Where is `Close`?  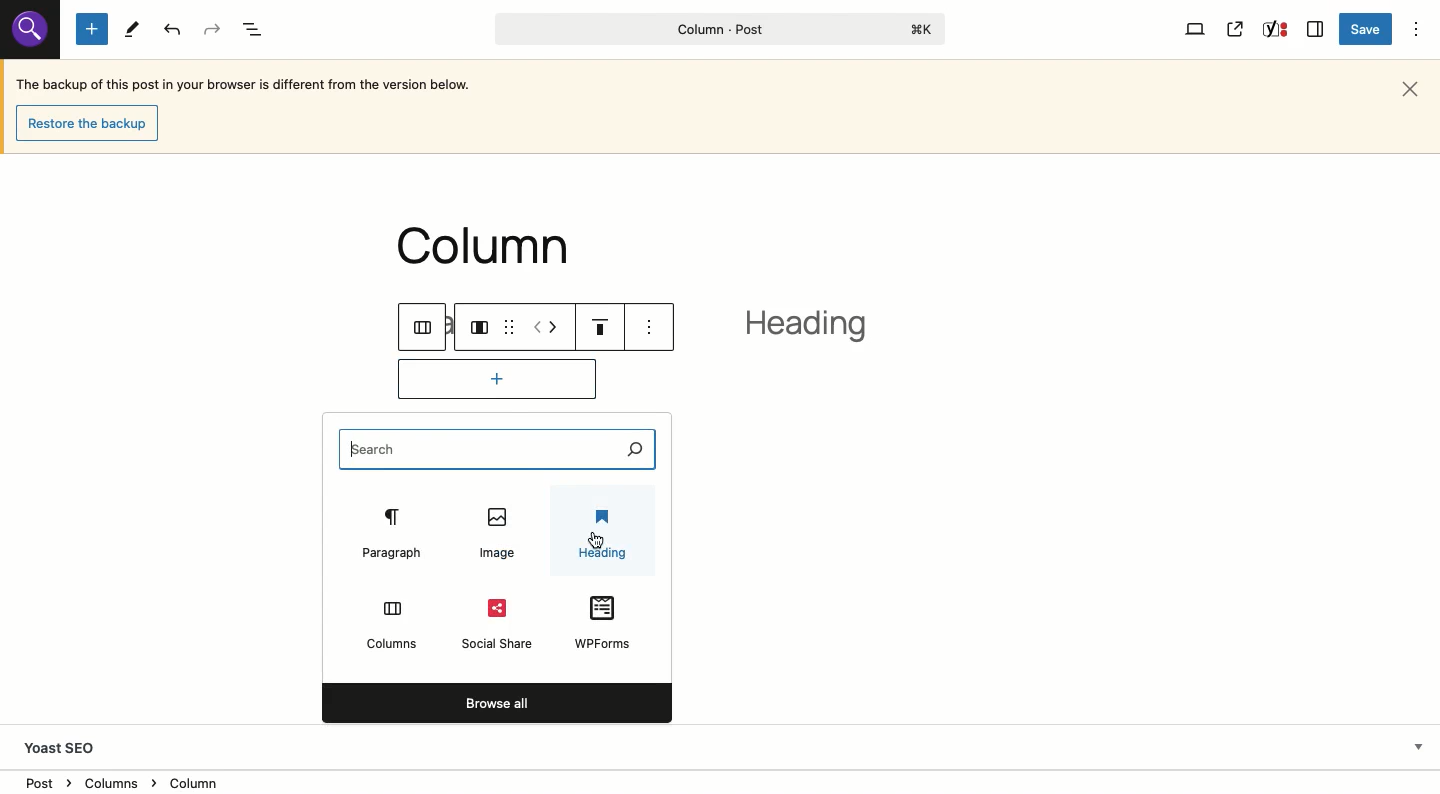 Close is located at coordinates (1414, 87).